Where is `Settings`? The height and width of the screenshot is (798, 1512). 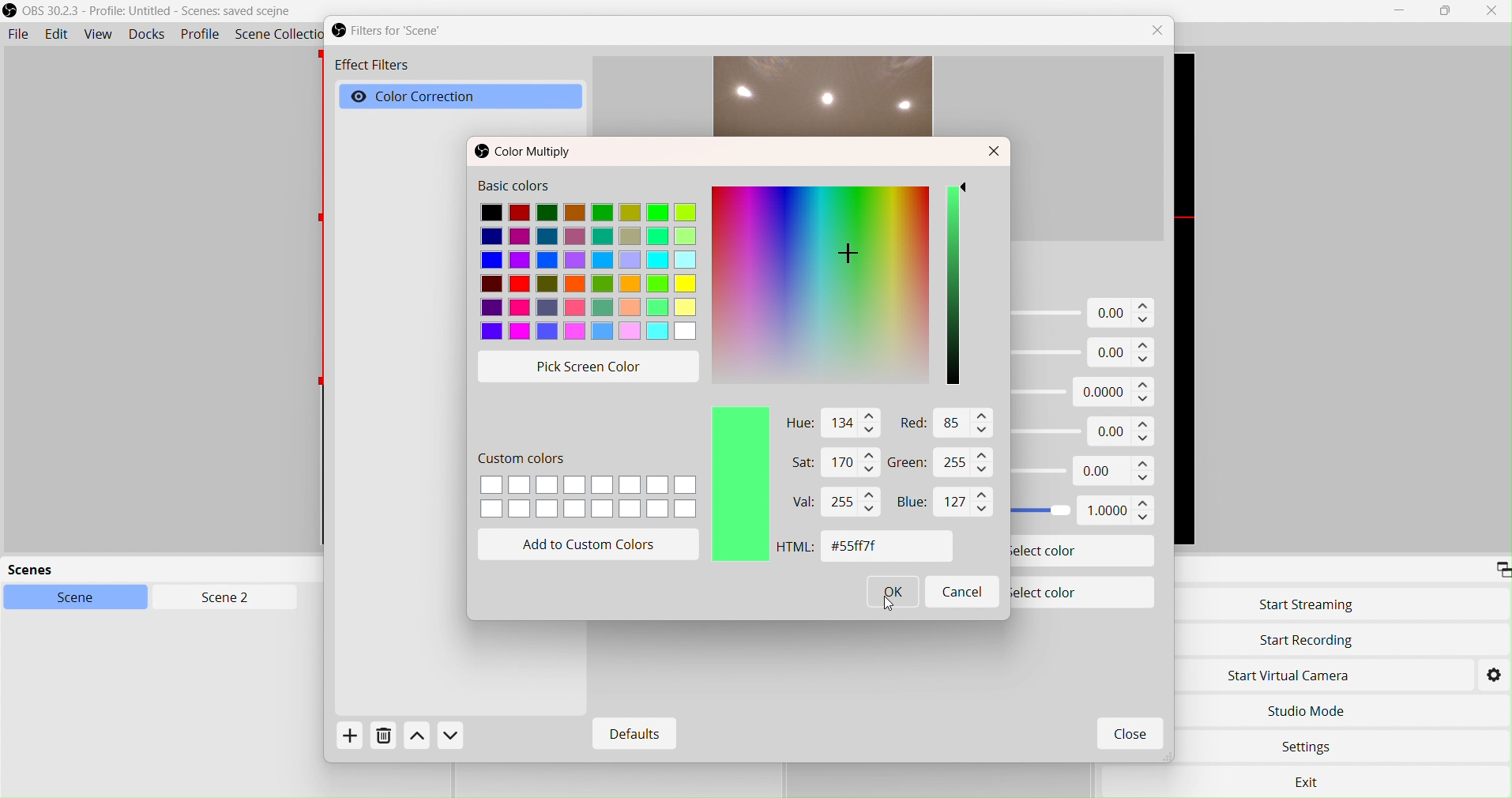 Settings is located at coordinates (1494, 674).